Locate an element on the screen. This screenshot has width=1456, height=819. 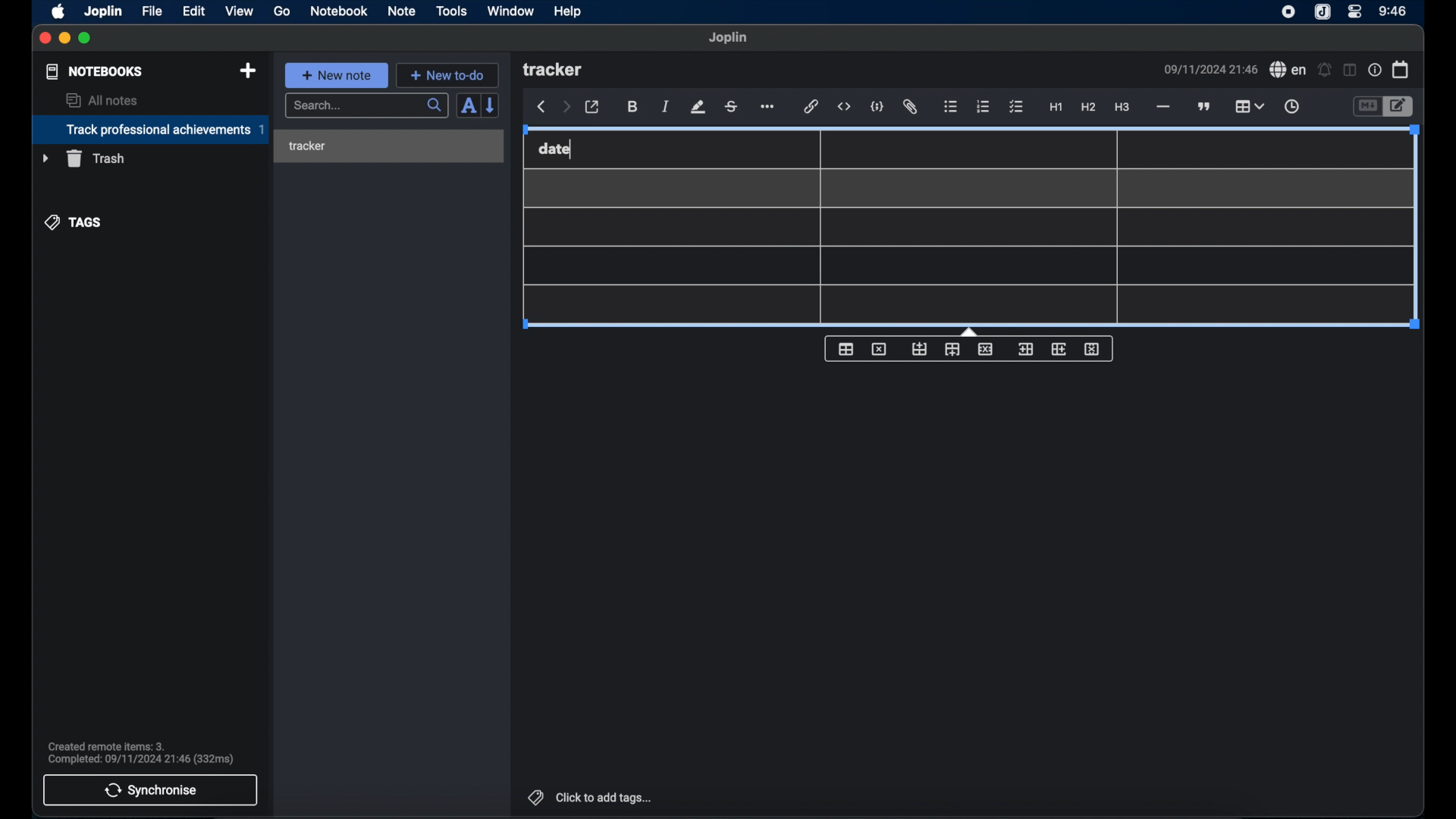
new to-do is located at coordinates (447, 75).